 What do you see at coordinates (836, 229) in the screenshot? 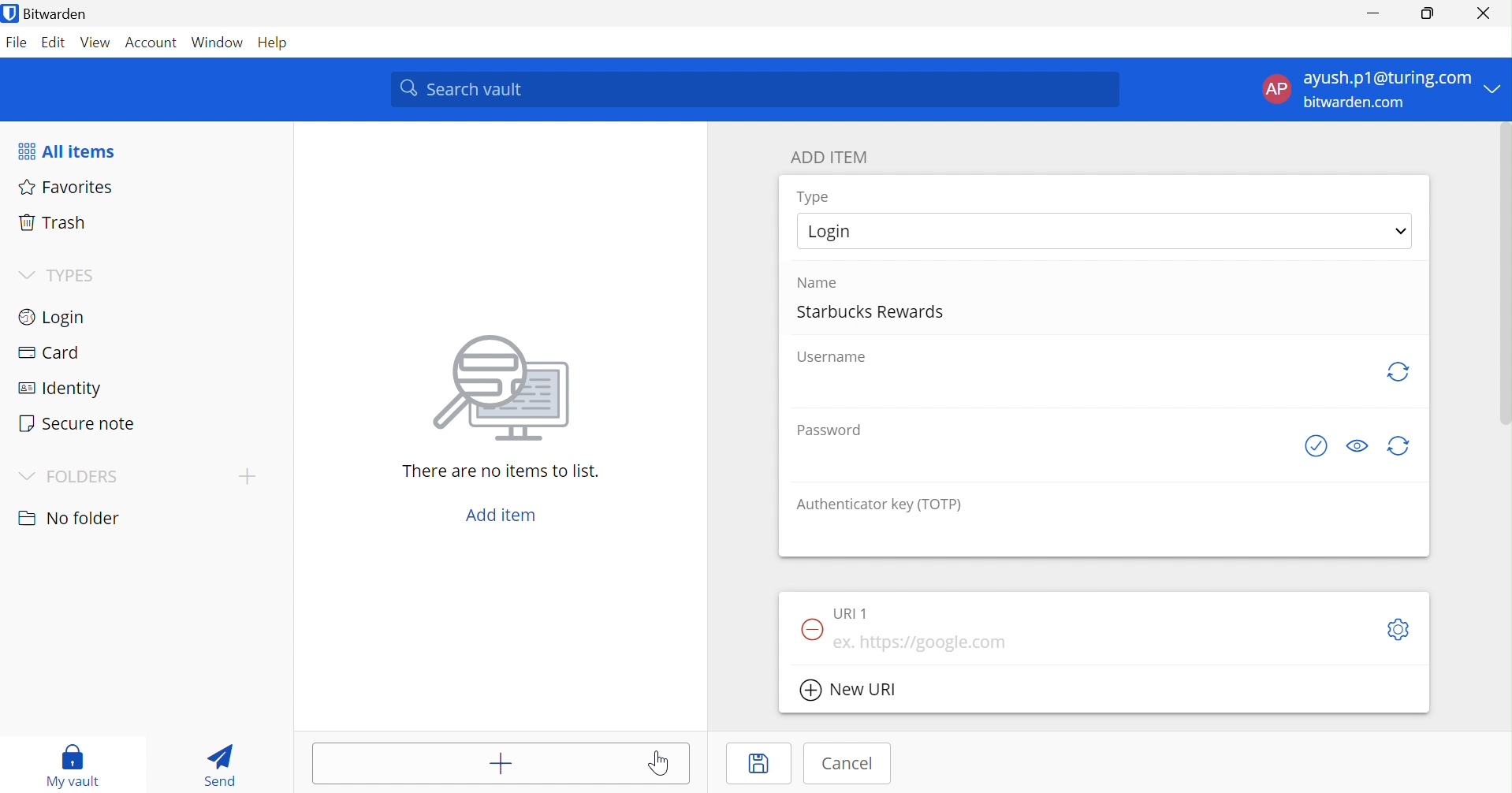
I see `Login` at bounding box center [836, 229].